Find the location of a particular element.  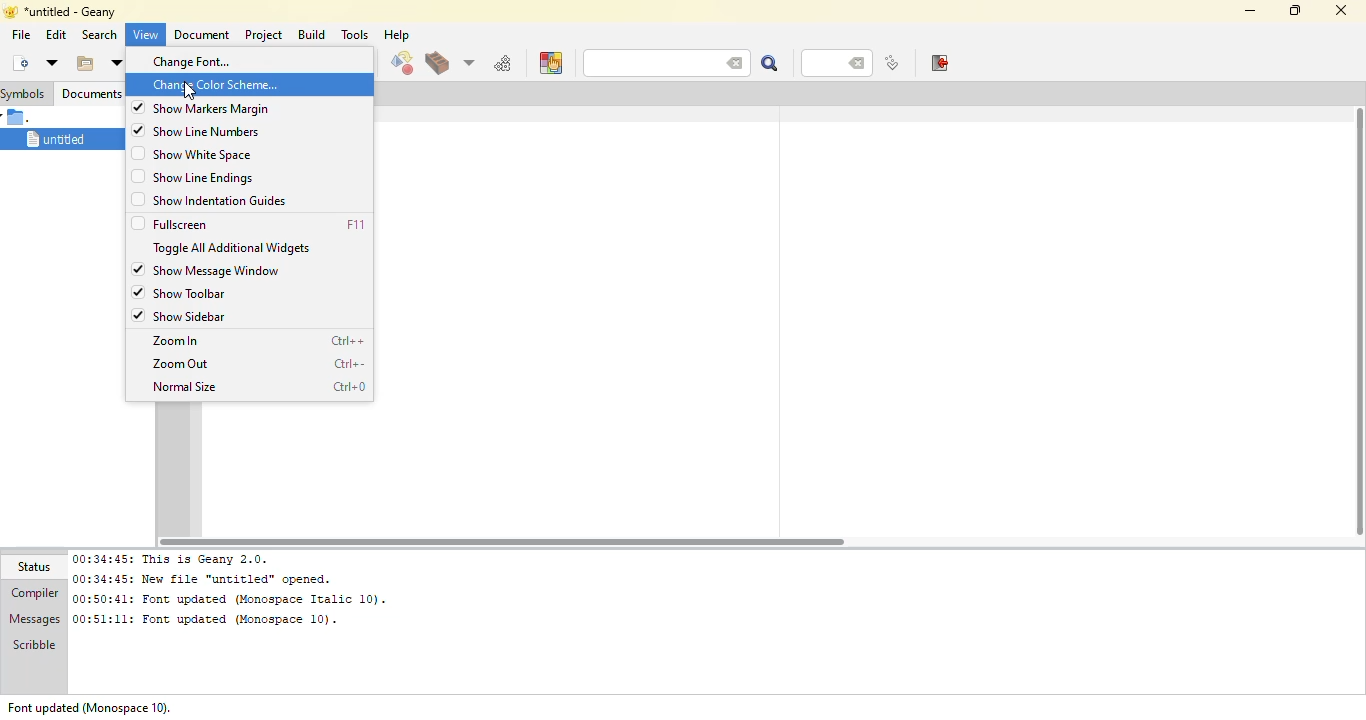

show toolbar is located at coordinates (191, 292).